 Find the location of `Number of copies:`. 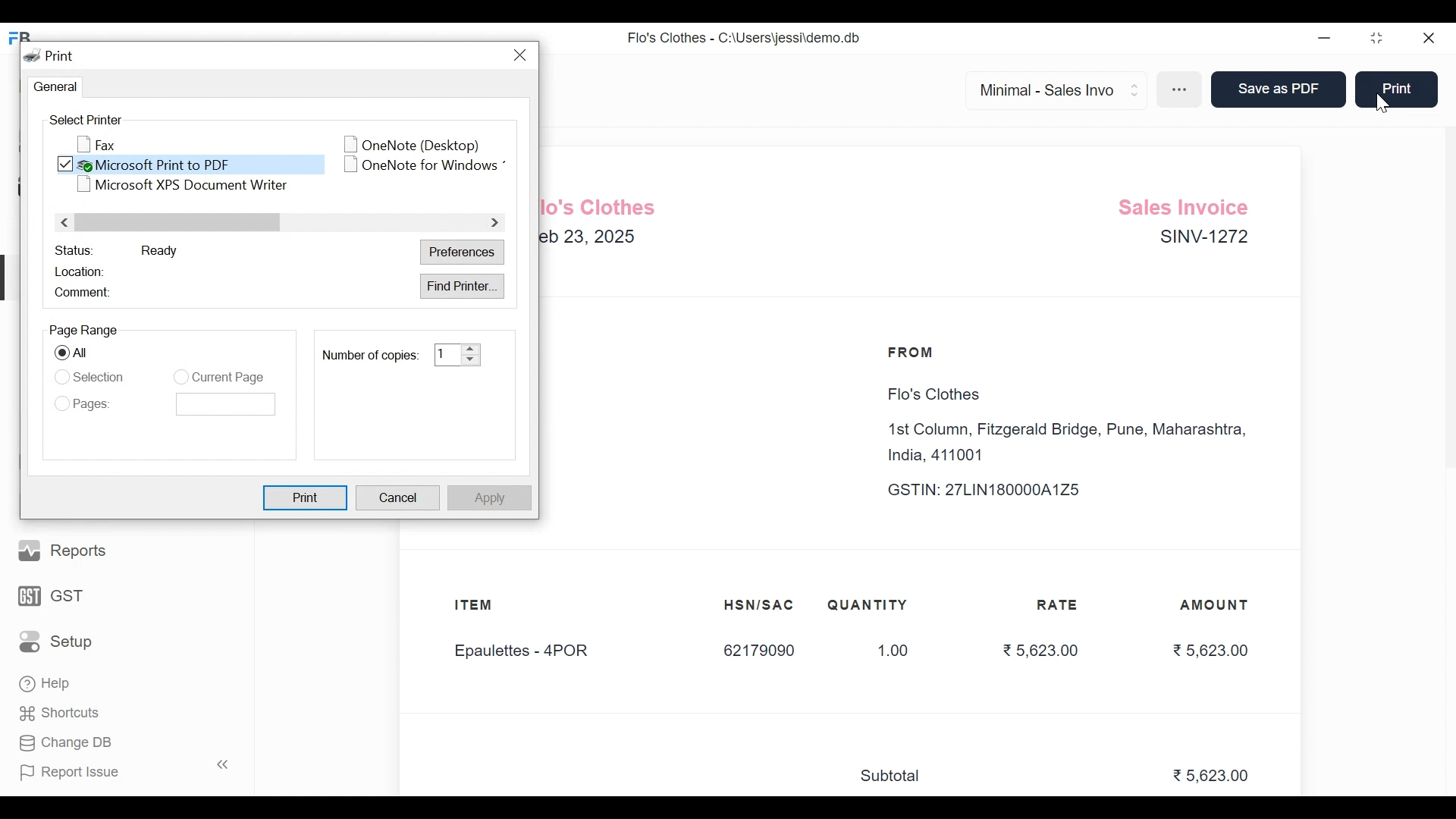

Number of copies: is located at coordinates (369, 355).